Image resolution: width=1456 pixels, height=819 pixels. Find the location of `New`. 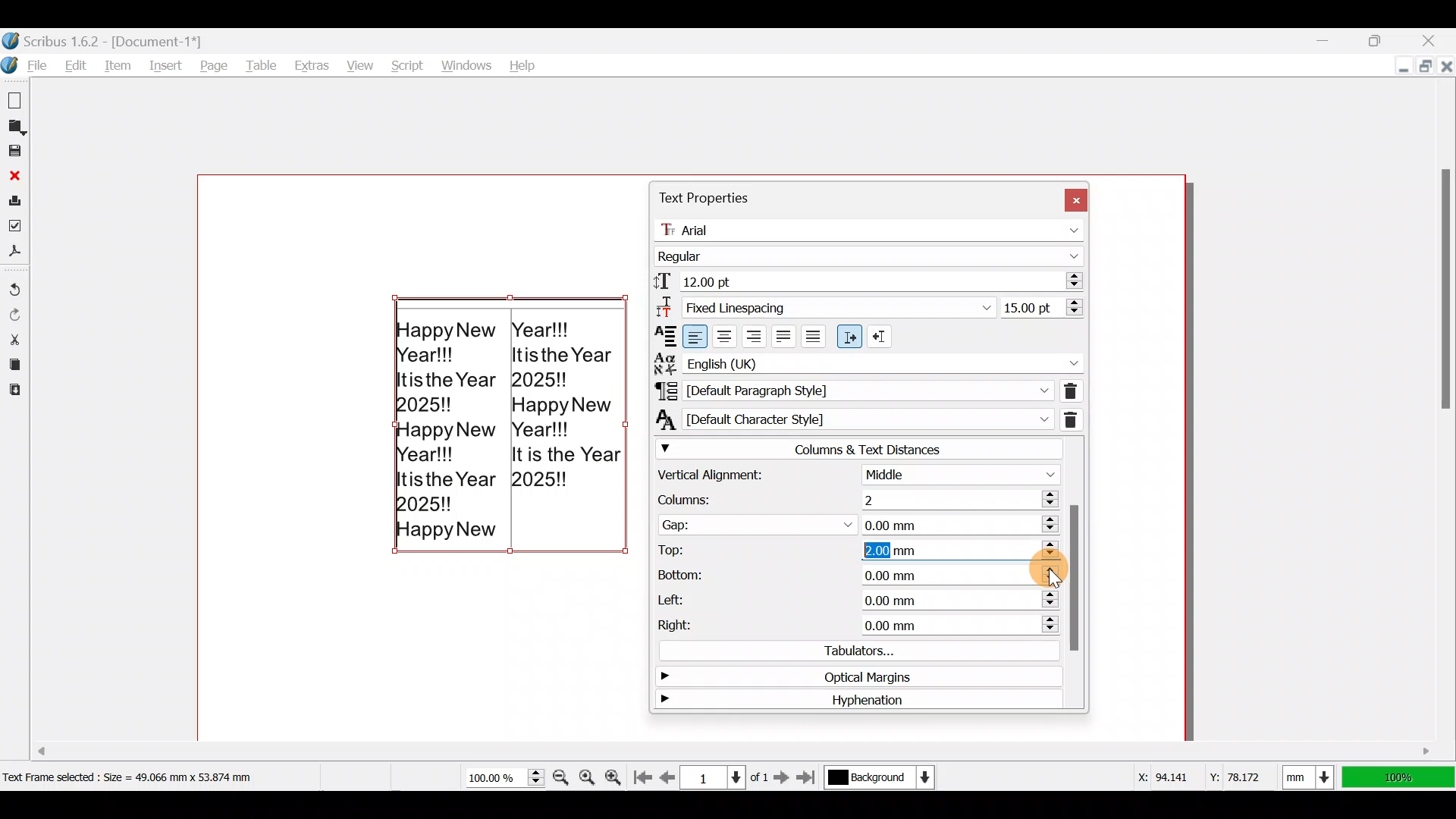

New is located at coordinates (17, 99).